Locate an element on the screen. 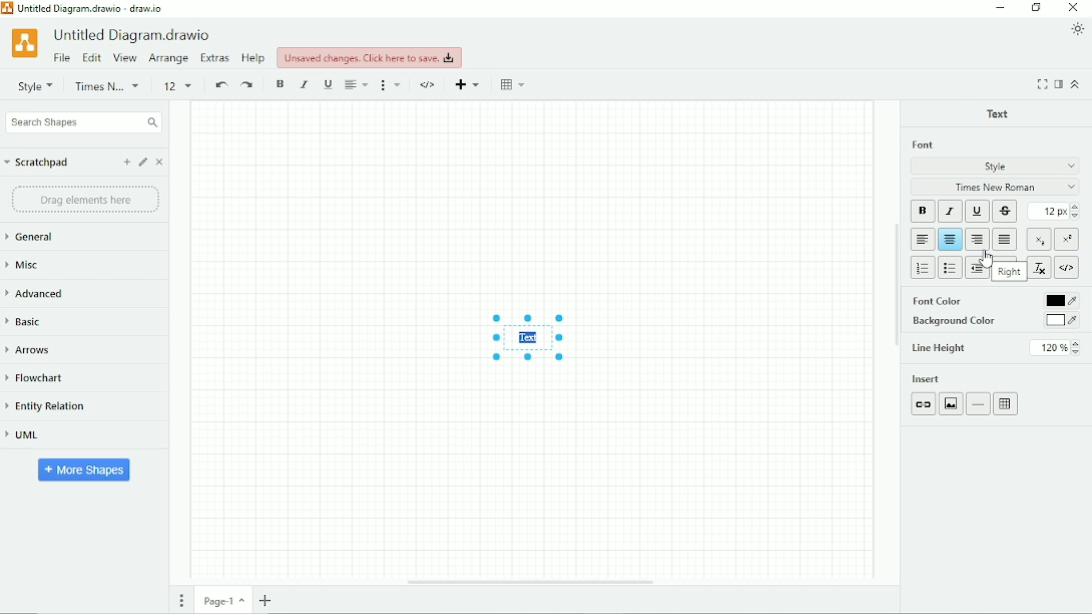  Arrows is located at coordinates (38, 350).